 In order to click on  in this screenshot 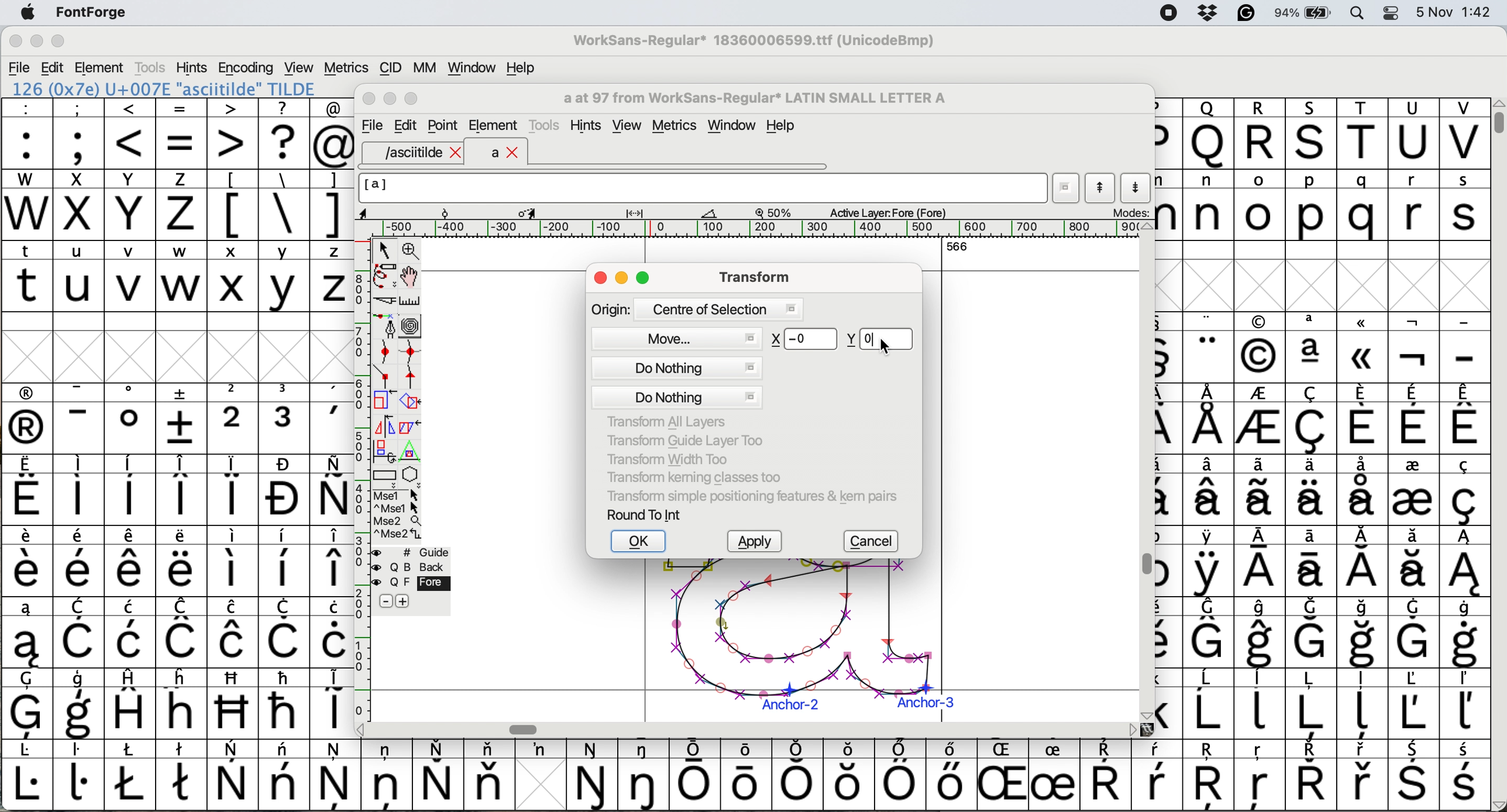, I will do `click(183, 703)`.